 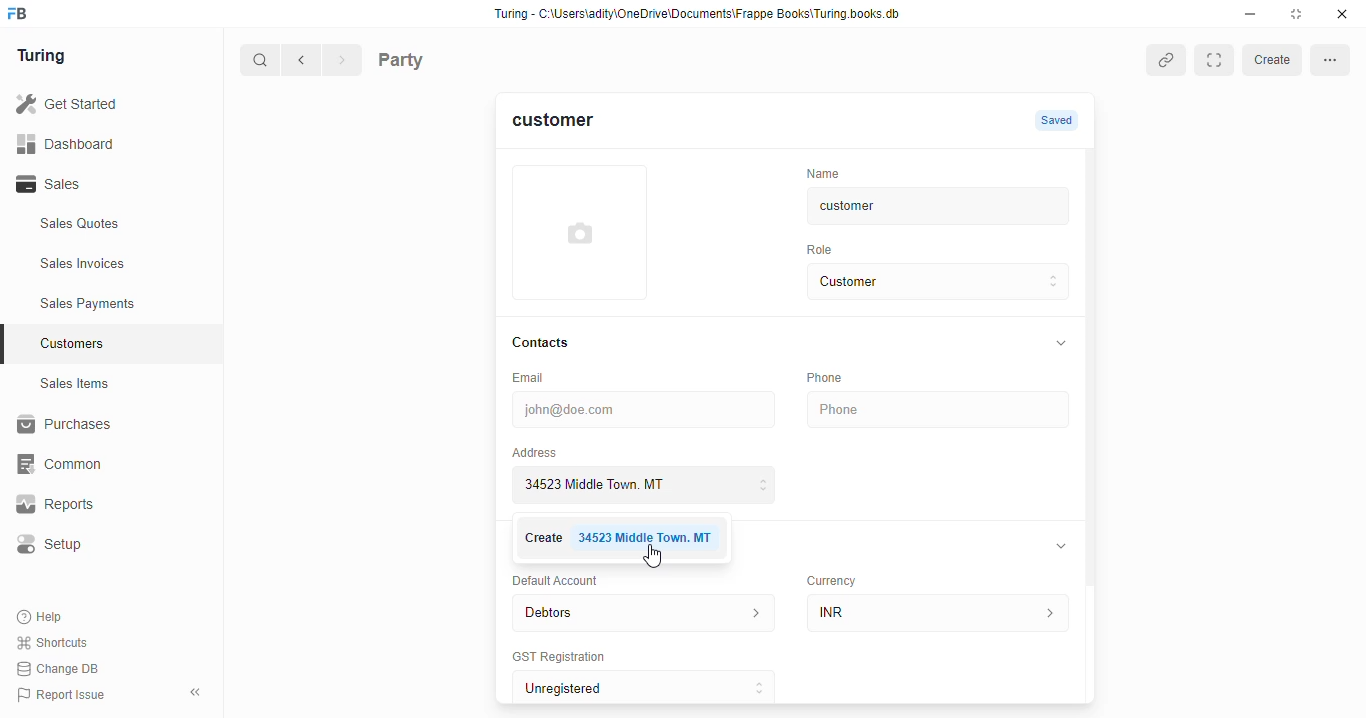 I want to click on Sales Payments, so click(x=118, y=304).